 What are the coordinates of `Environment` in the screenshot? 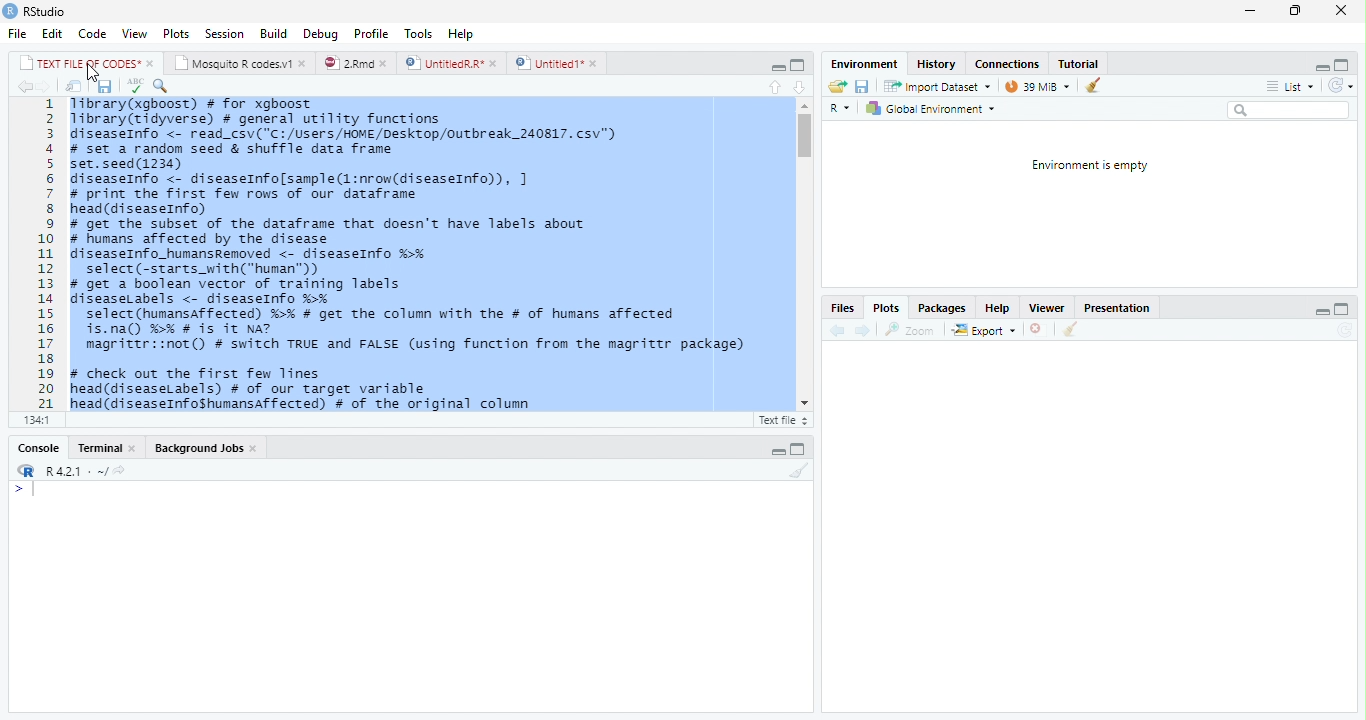 It's located at (859, 63).